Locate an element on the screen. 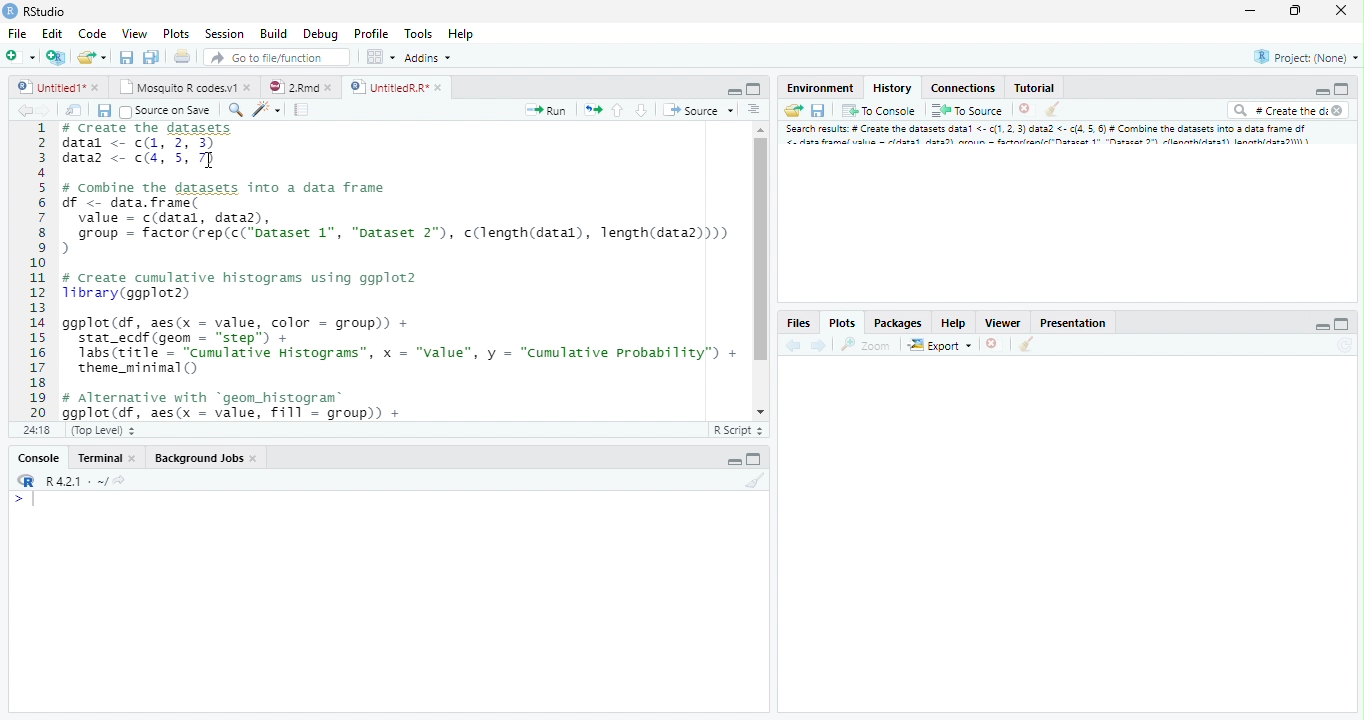 This screenshot has height=720, width=1364. R Script is located at coordinates (738, 430).